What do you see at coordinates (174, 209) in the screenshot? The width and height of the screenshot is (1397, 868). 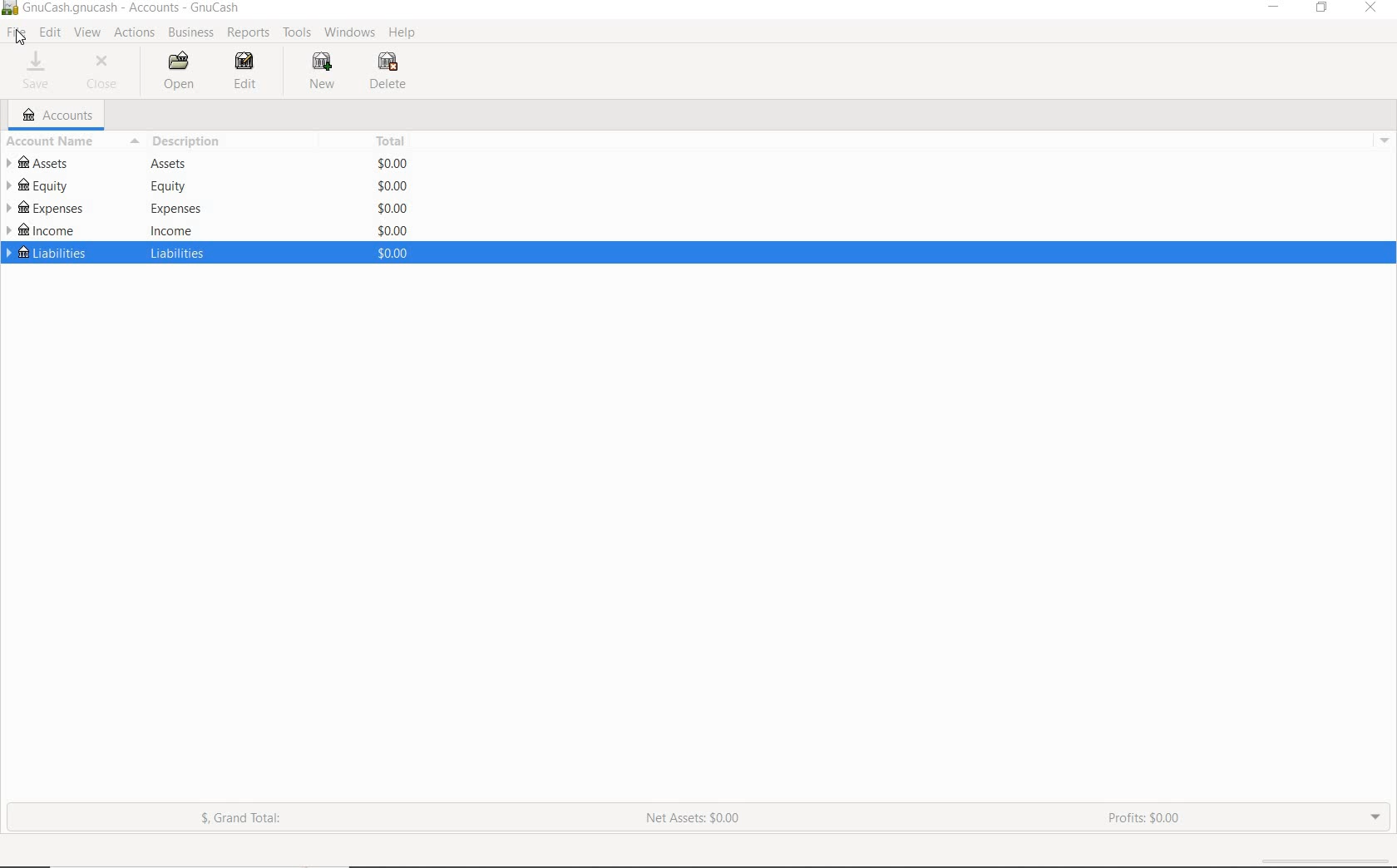 I see `expenses` at bounding box center [174, 209].